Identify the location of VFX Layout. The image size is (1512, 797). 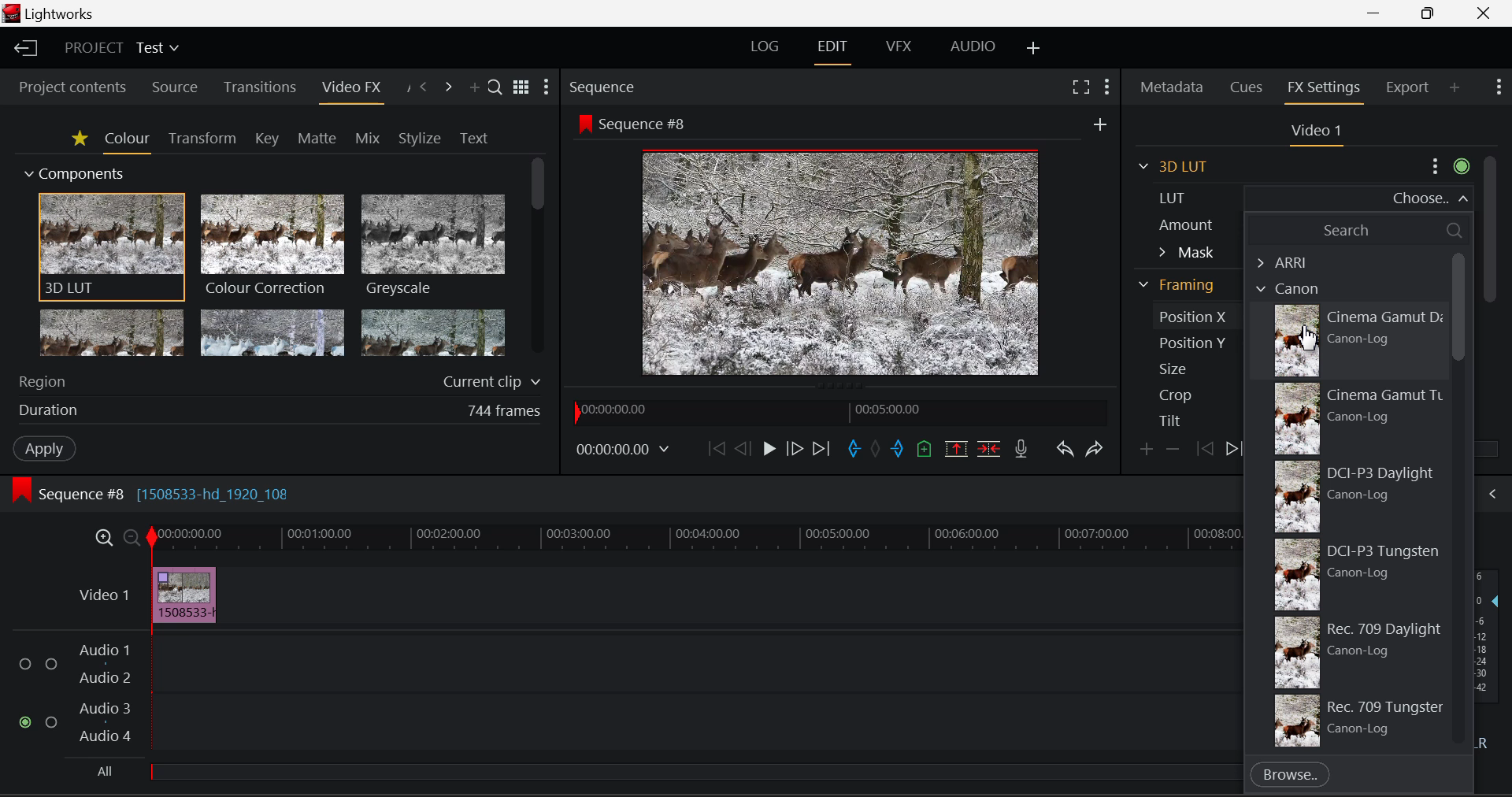
(901, 47).